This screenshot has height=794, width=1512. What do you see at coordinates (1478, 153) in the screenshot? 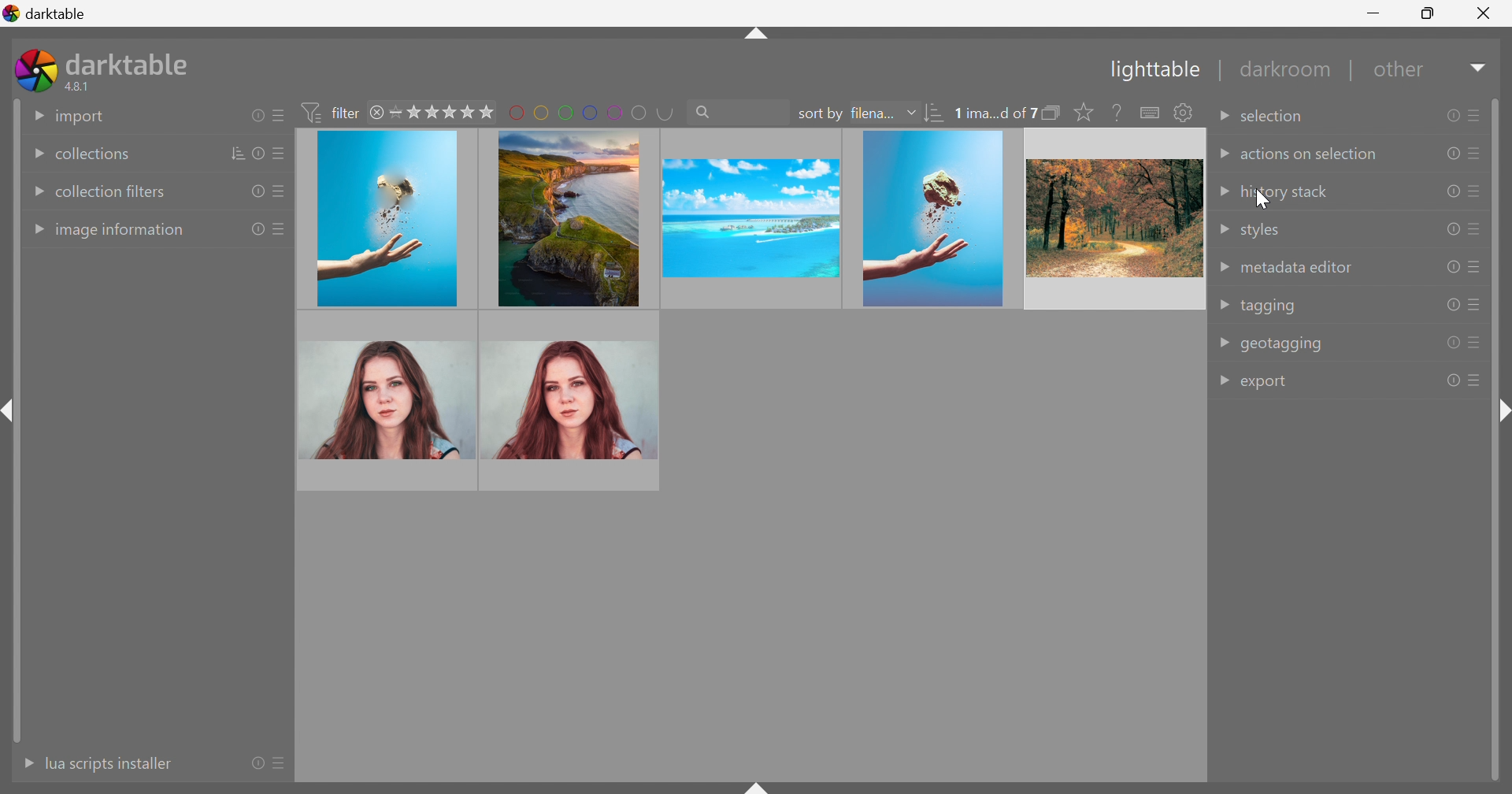
I see `presets` at bounding box center [1478, 153].